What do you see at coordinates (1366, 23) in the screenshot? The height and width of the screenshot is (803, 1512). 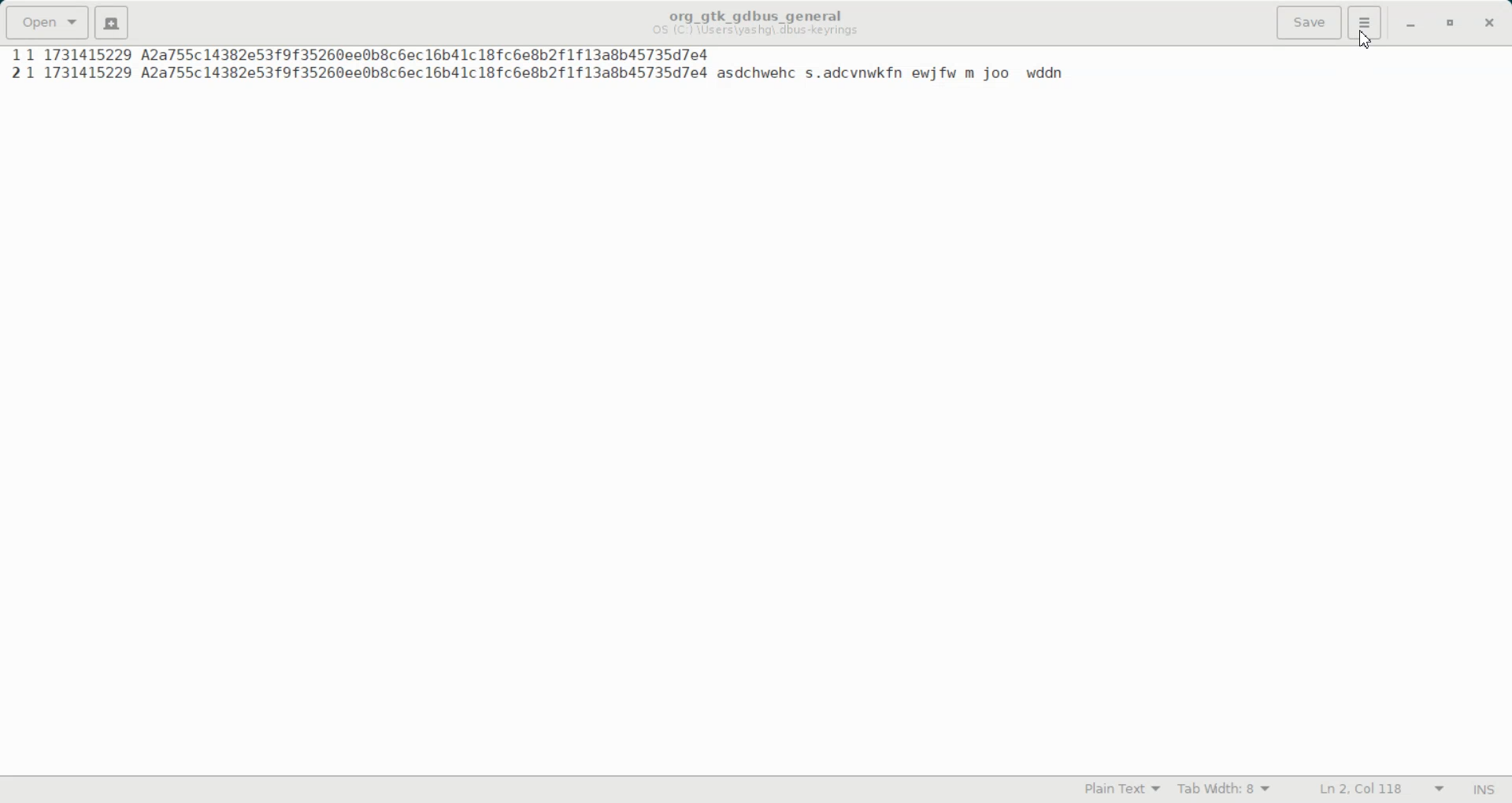 I see `Hamburger settings` at bounding box center [1366, 23].